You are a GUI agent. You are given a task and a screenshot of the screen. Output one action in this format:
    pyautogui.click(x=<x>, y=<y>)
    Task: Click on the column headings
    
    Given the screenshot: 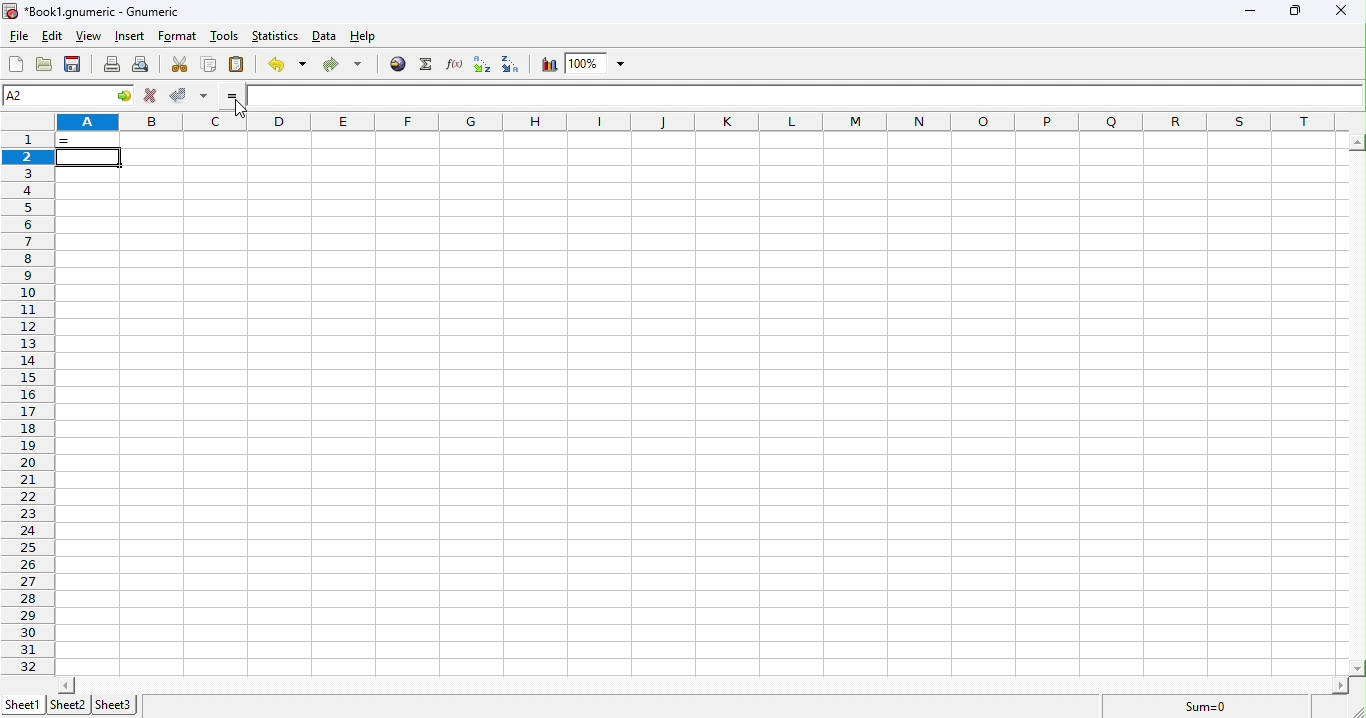 What is the action you would take?
    pyautogui.click(x=710, y=122)
    